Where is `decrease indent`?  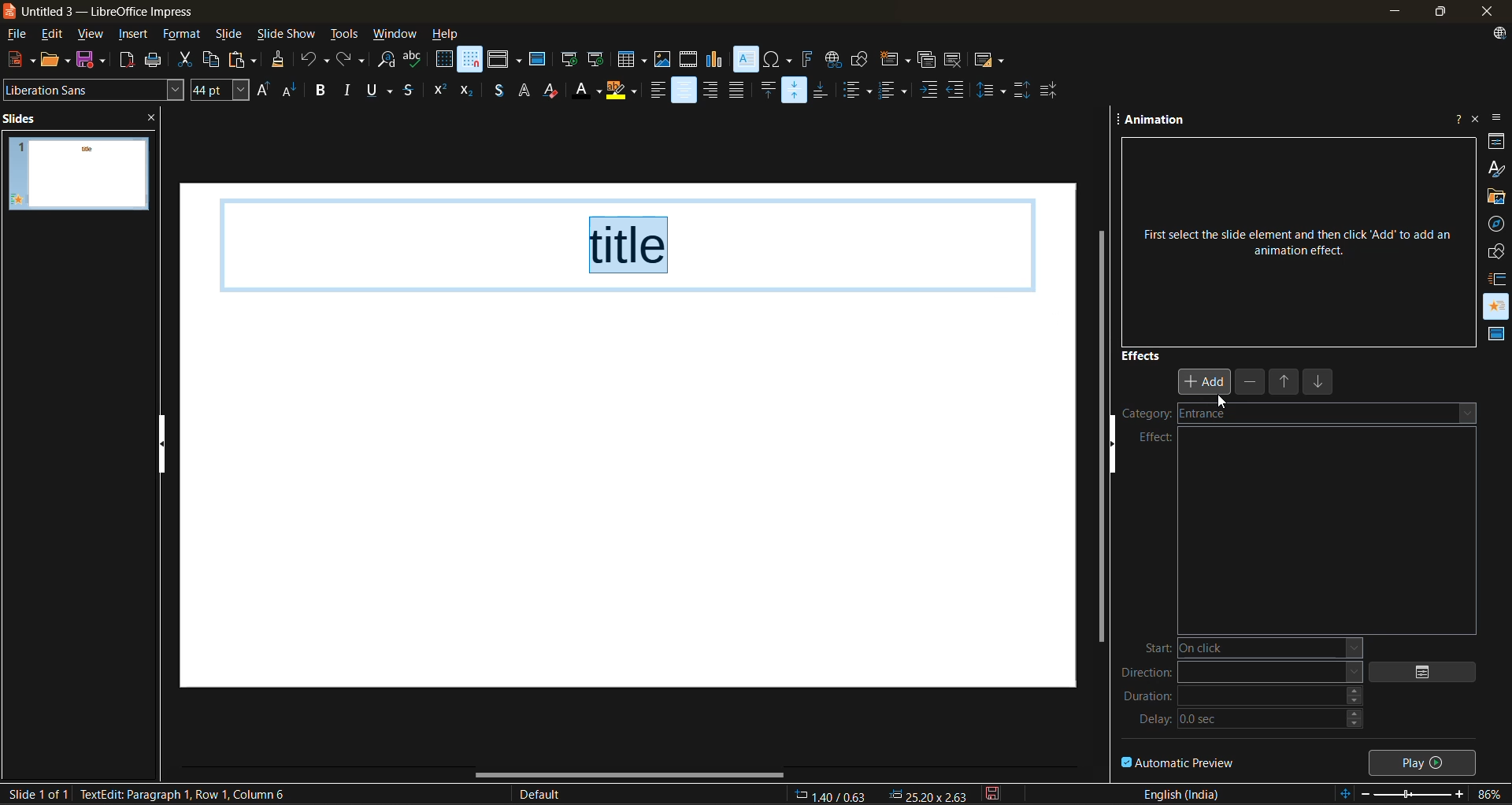 decrease indent is located at coordinates (959, 88).